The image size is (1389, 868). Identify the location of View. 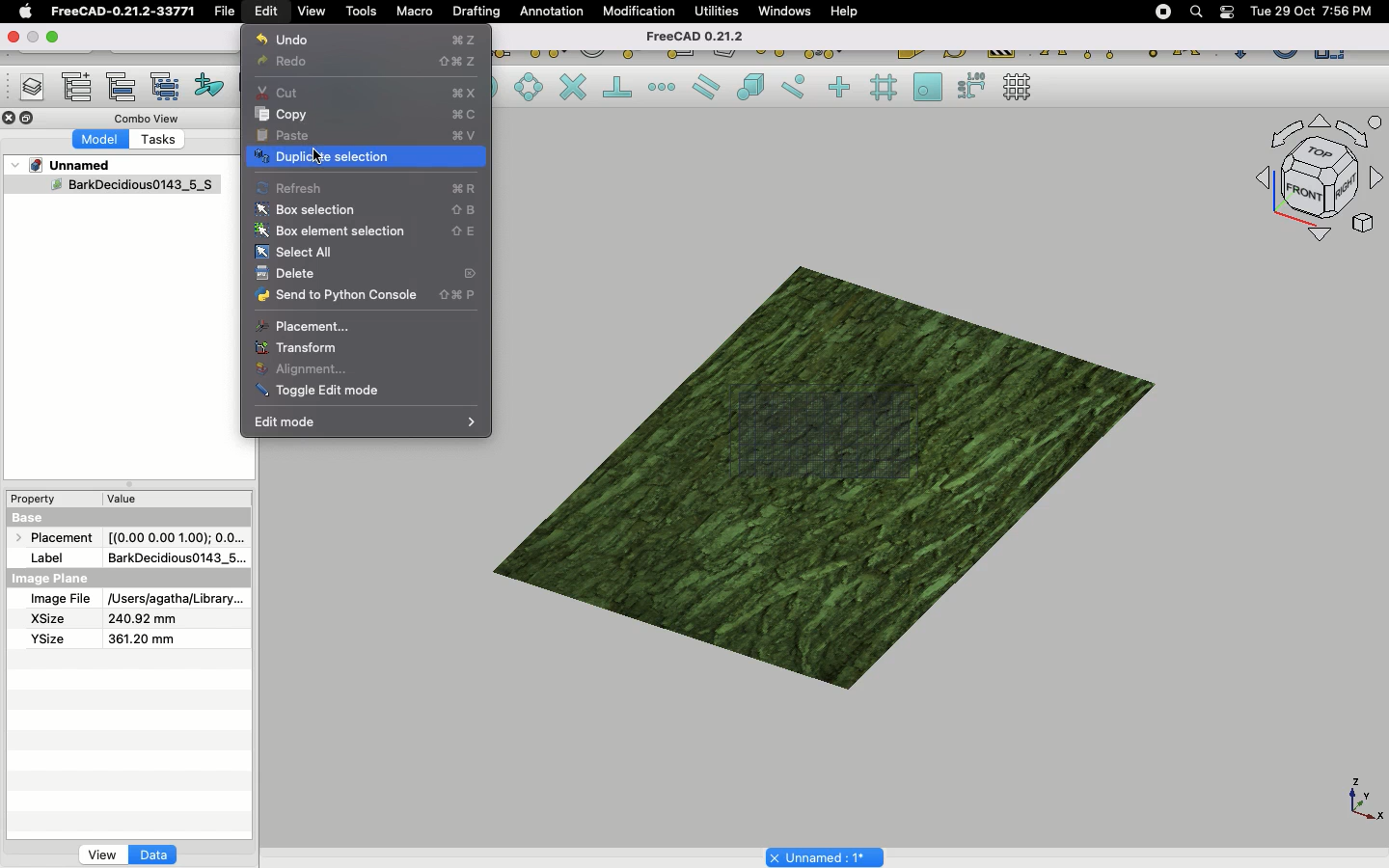
(102, 854).